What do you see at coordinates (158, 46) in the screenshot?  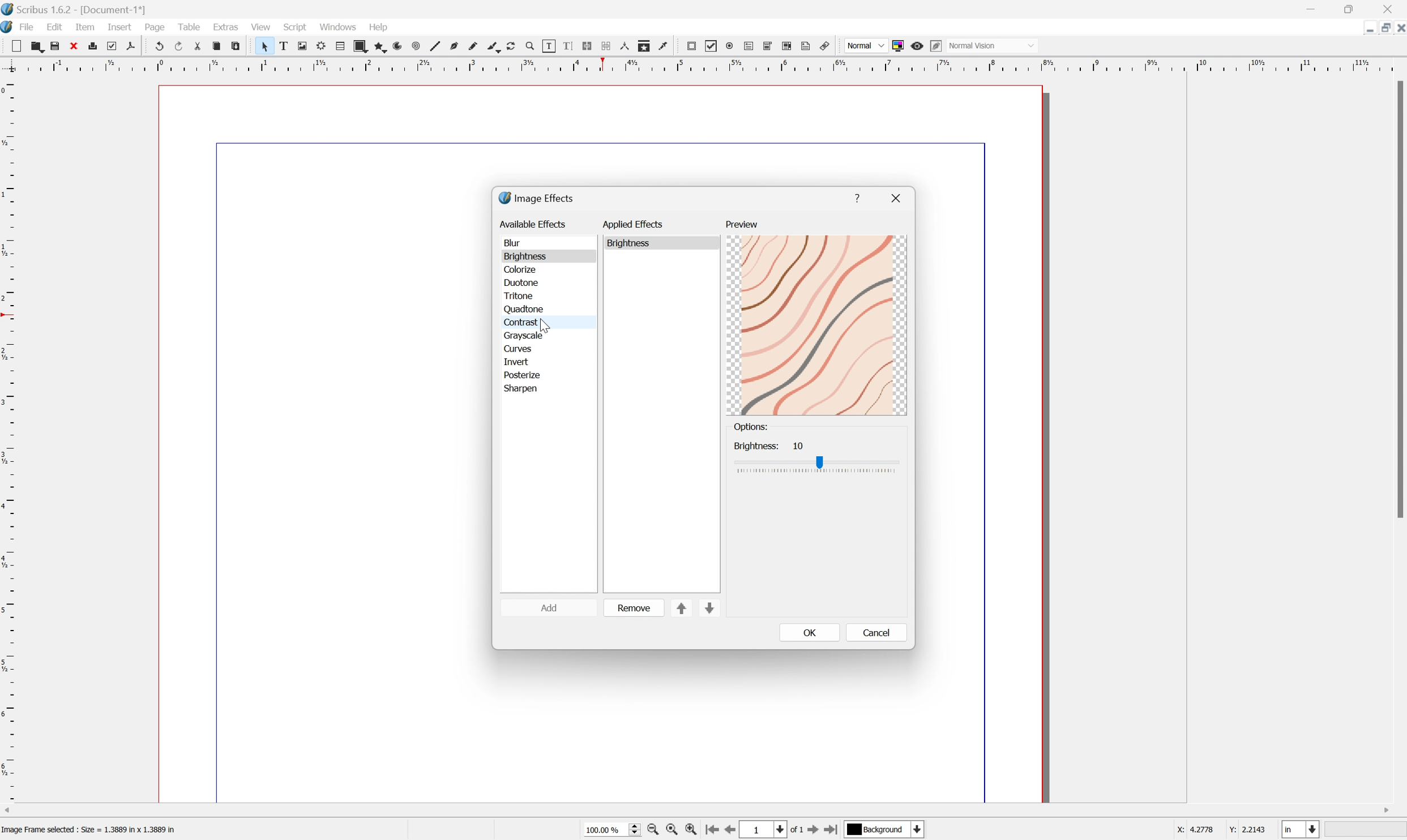 I see `Undo` at bounding box center [158, 46].